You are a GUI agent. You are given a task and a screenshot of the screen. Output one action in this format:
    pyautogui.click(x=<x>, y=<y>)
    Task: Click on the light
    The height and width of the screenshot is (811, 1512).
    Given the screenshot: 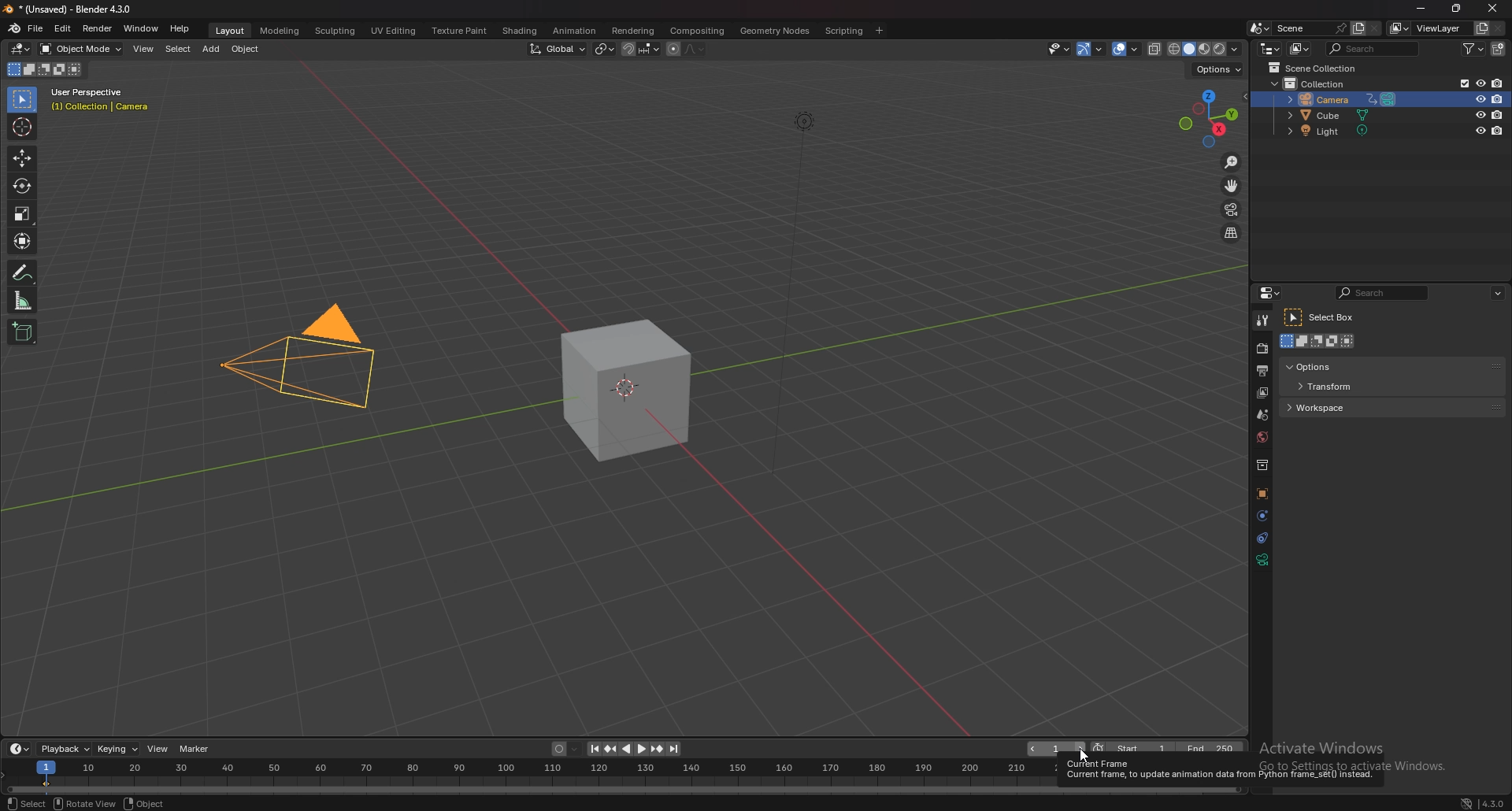 What is the action you would take?
    pyautogui.click(x=1333, y=132)
    